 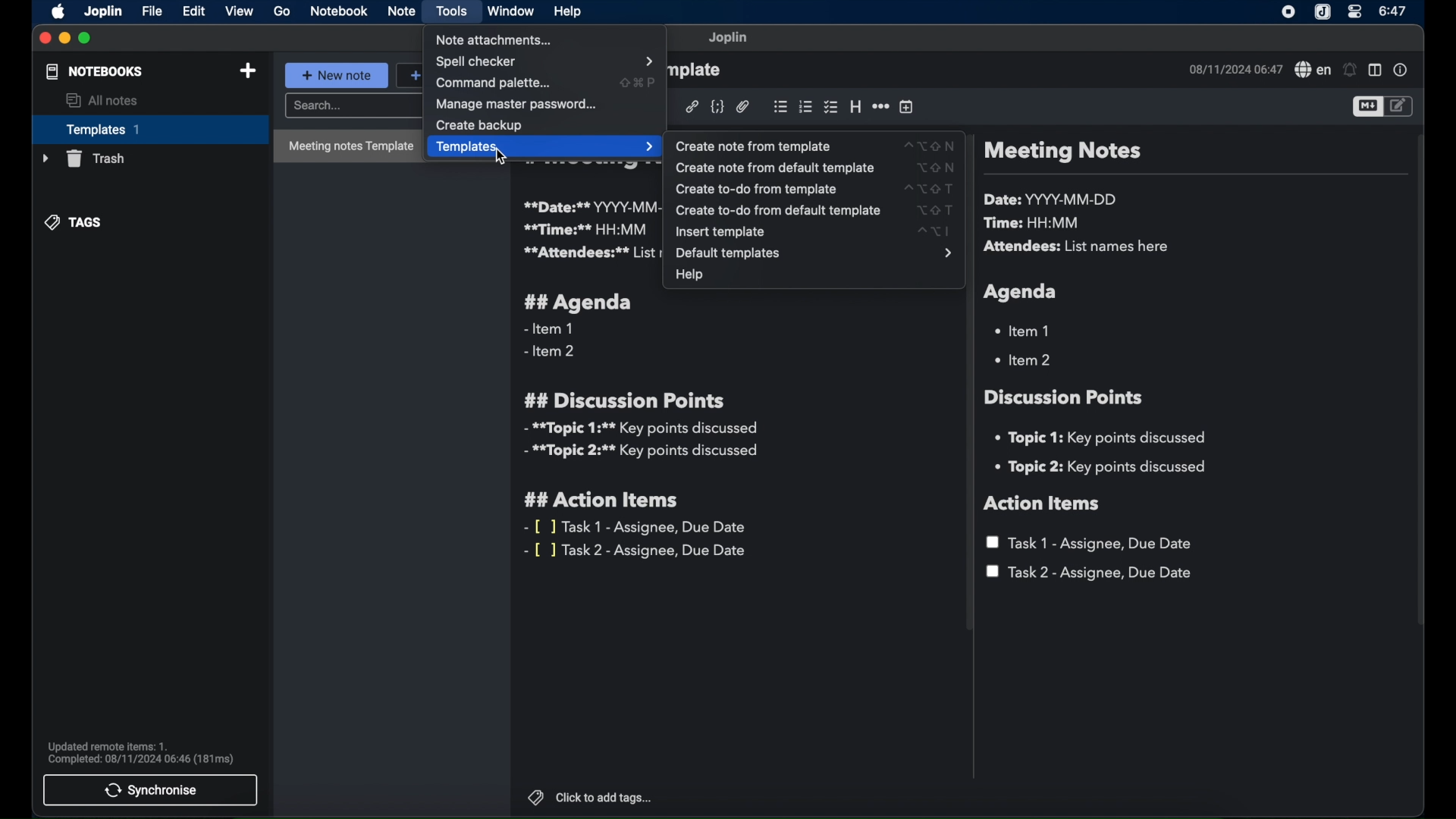 I want to click on **attendees:** list, so click(x=591, y=253).